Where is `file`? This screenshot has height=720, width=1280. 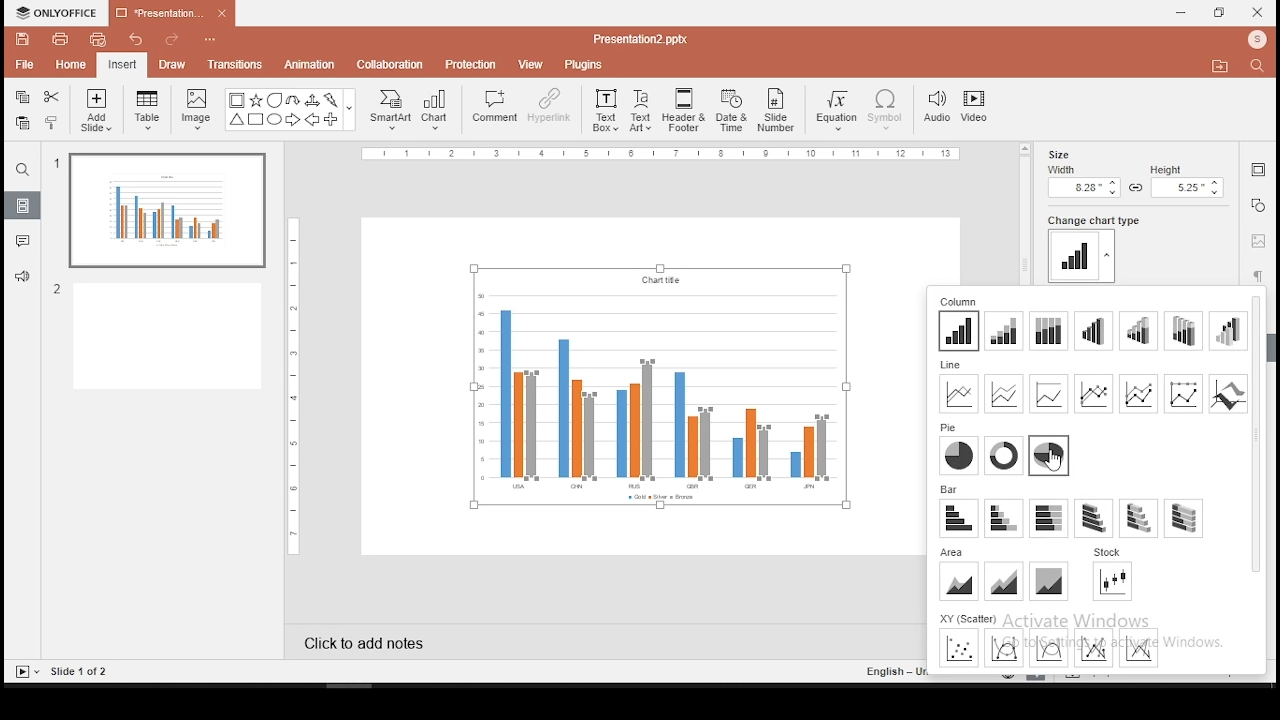 file is located at coordinates (23, 63).